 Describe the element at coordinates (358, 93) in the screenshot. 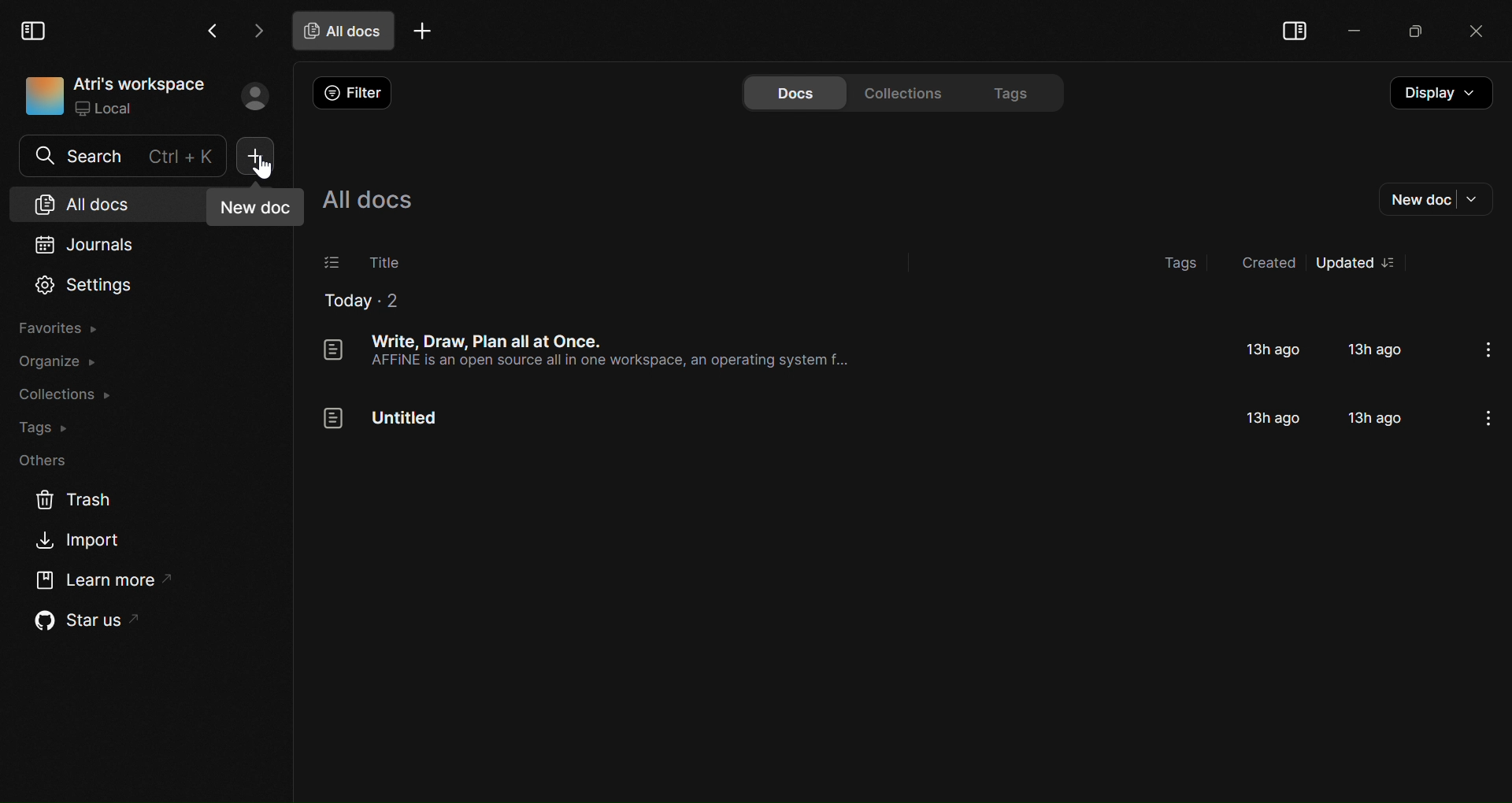

I see `Filter` at that location.